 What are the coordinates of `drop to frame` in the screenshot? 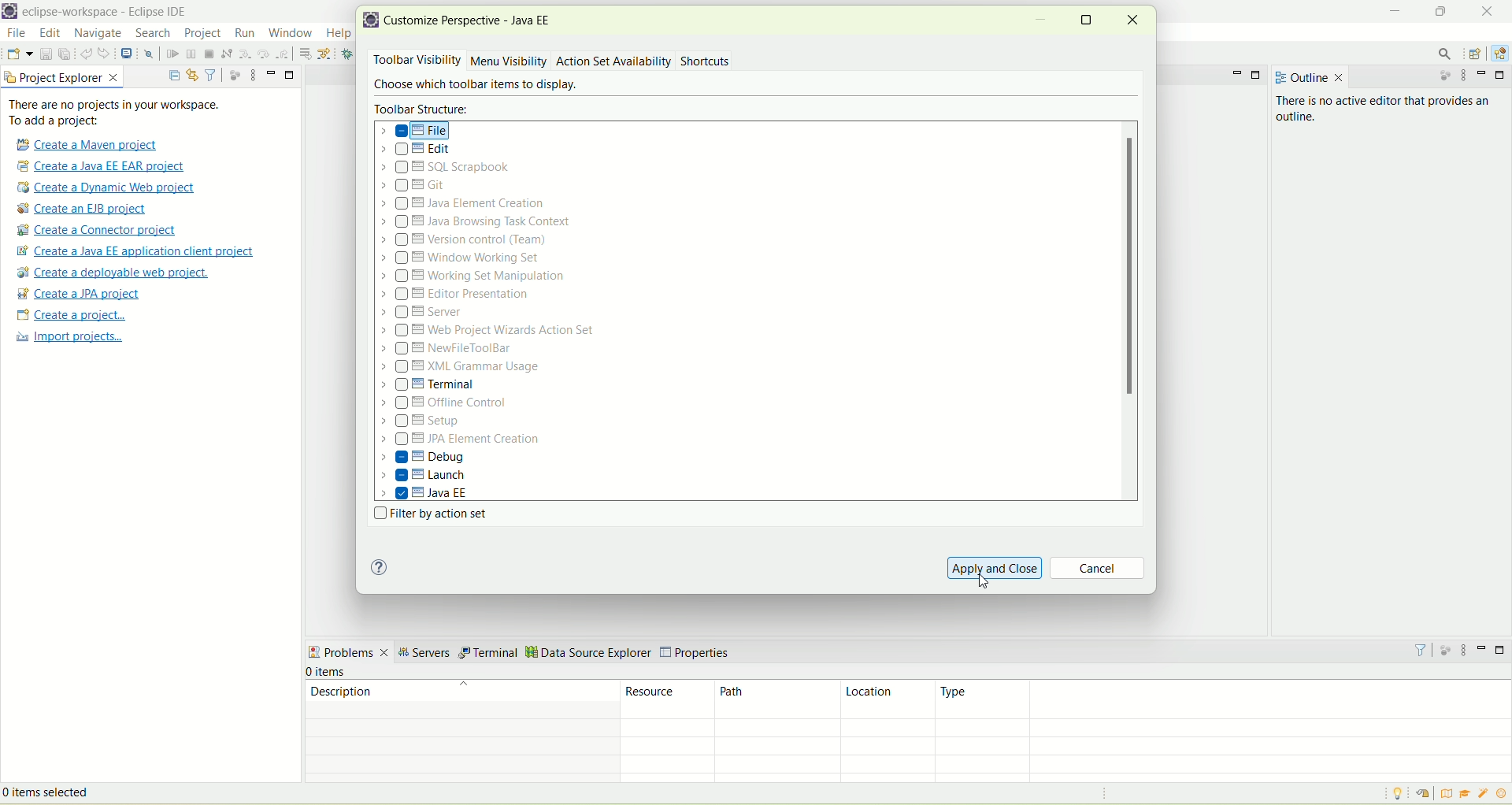 It's located at (304, 54).